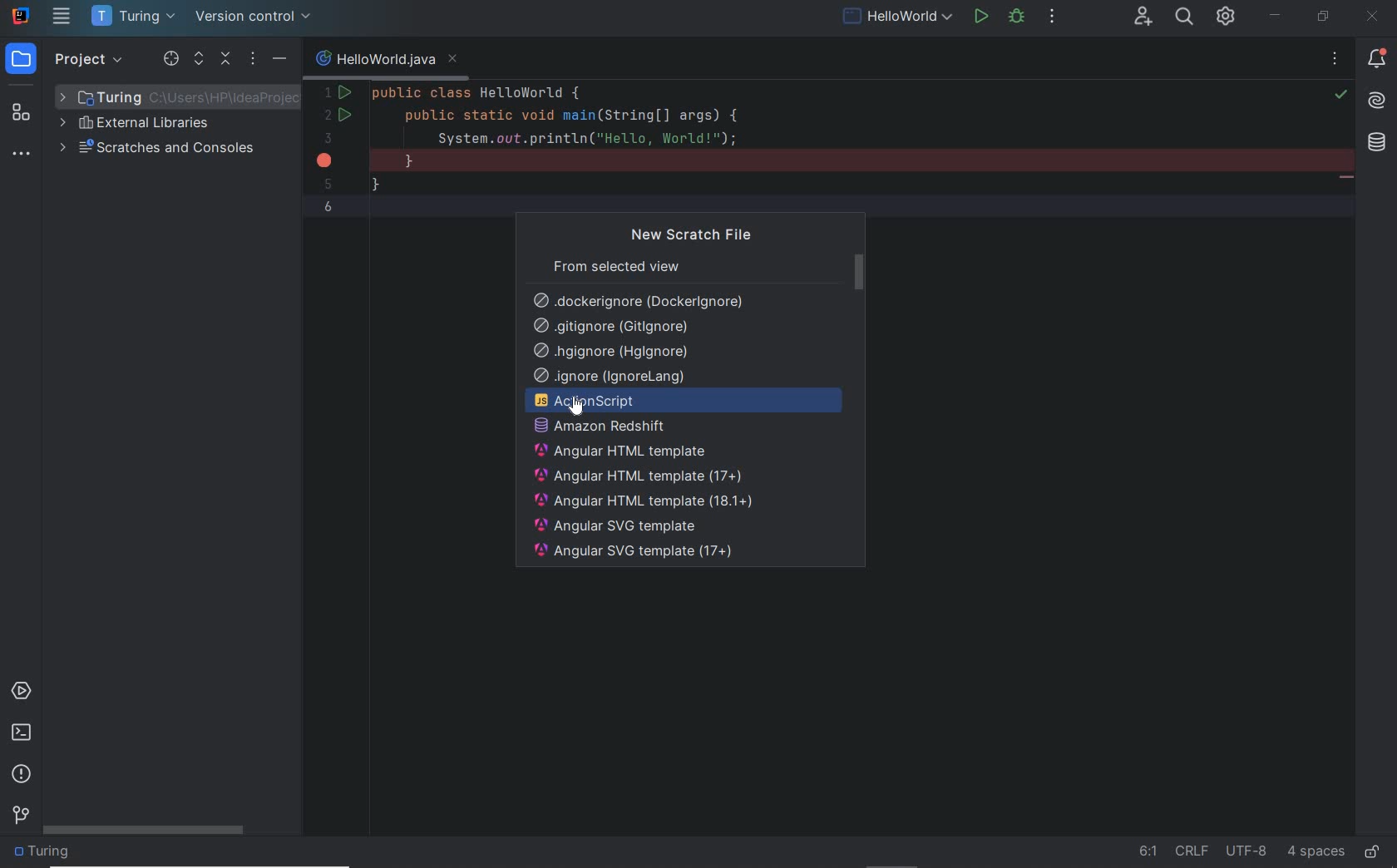  Describe the element at coordinates (1193, 851) in the screenshot. I see `line separator` at that location.